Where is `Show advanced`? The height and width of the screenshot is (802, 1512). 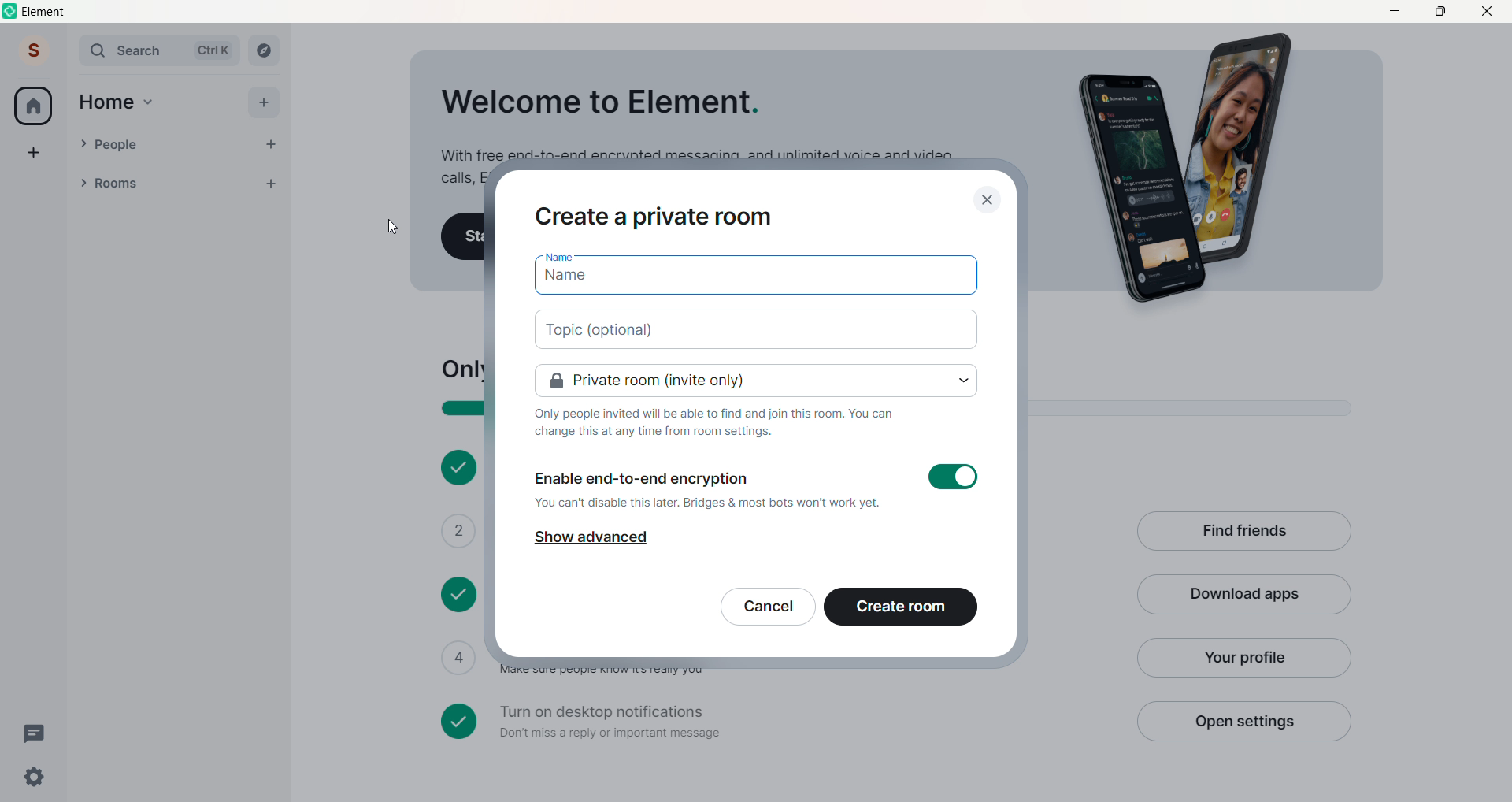 Show advanced is located at coordinates (590, 538).